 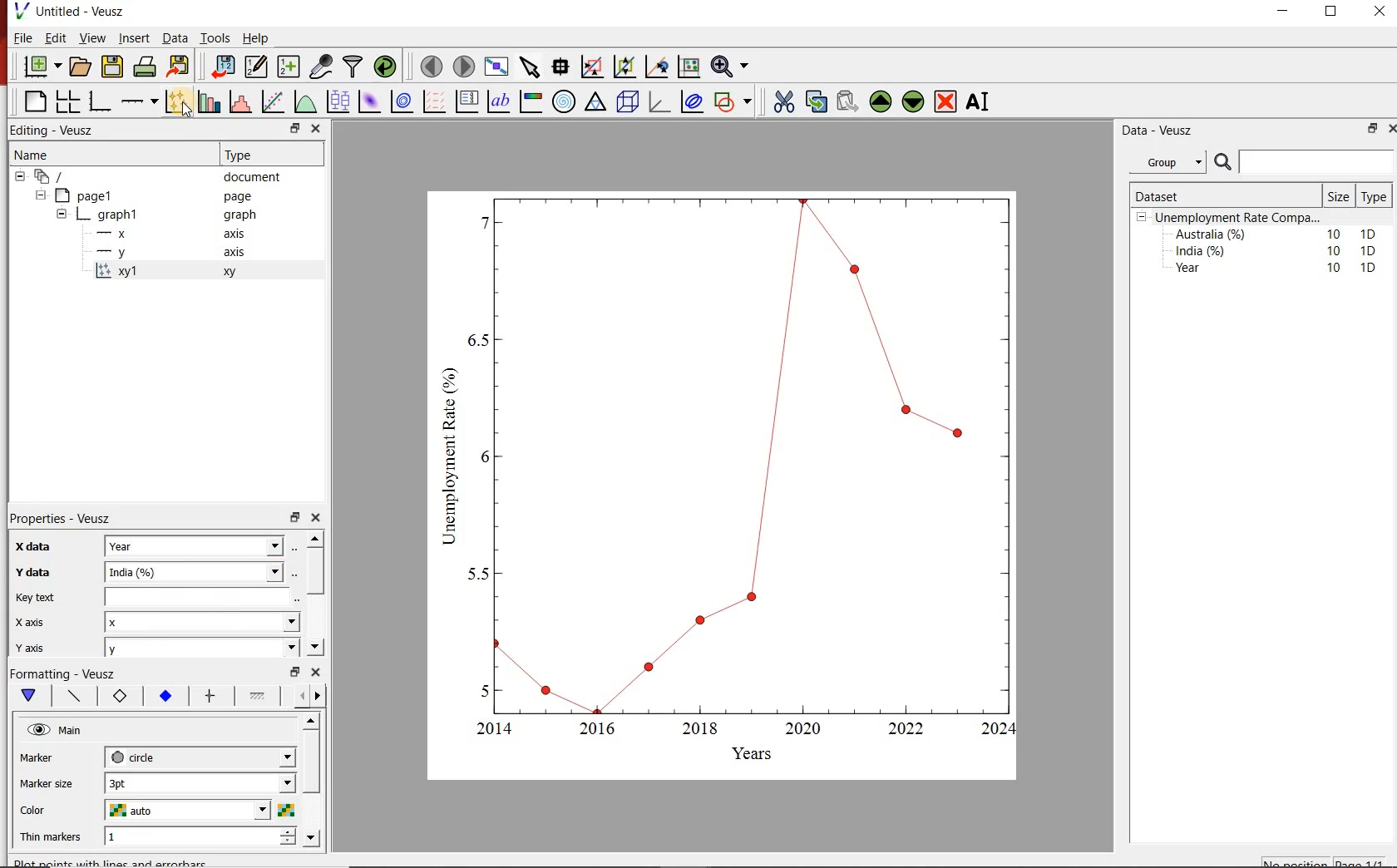 What do you see at coordinates (352, 67) in the screenshot?
I see `filter data` at bounding box center [352, 67].